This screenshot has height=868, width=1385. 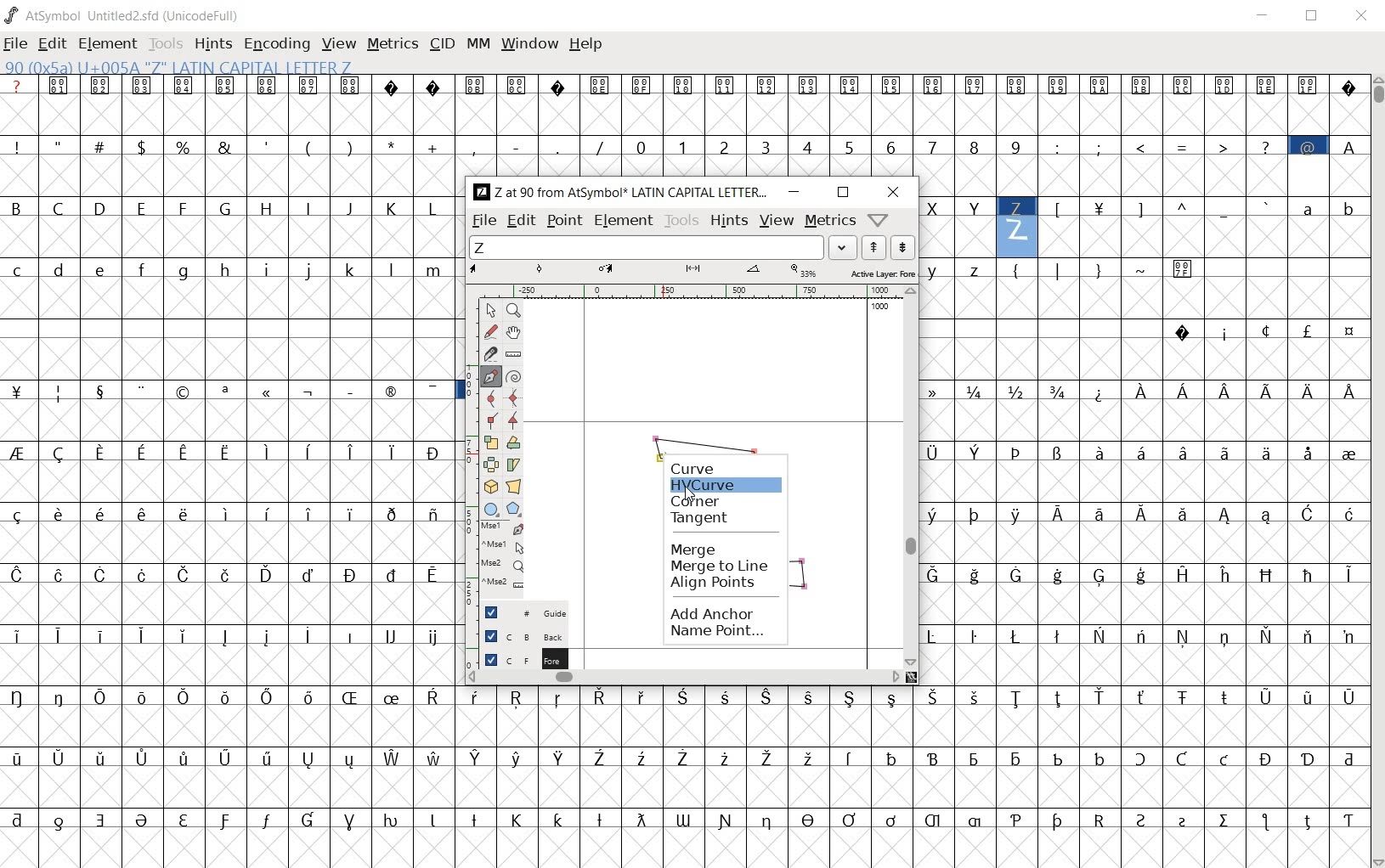 What do you see at coordinates (722, 550) in the screenshot?
I see `merge` at bounding box center [722, 550].